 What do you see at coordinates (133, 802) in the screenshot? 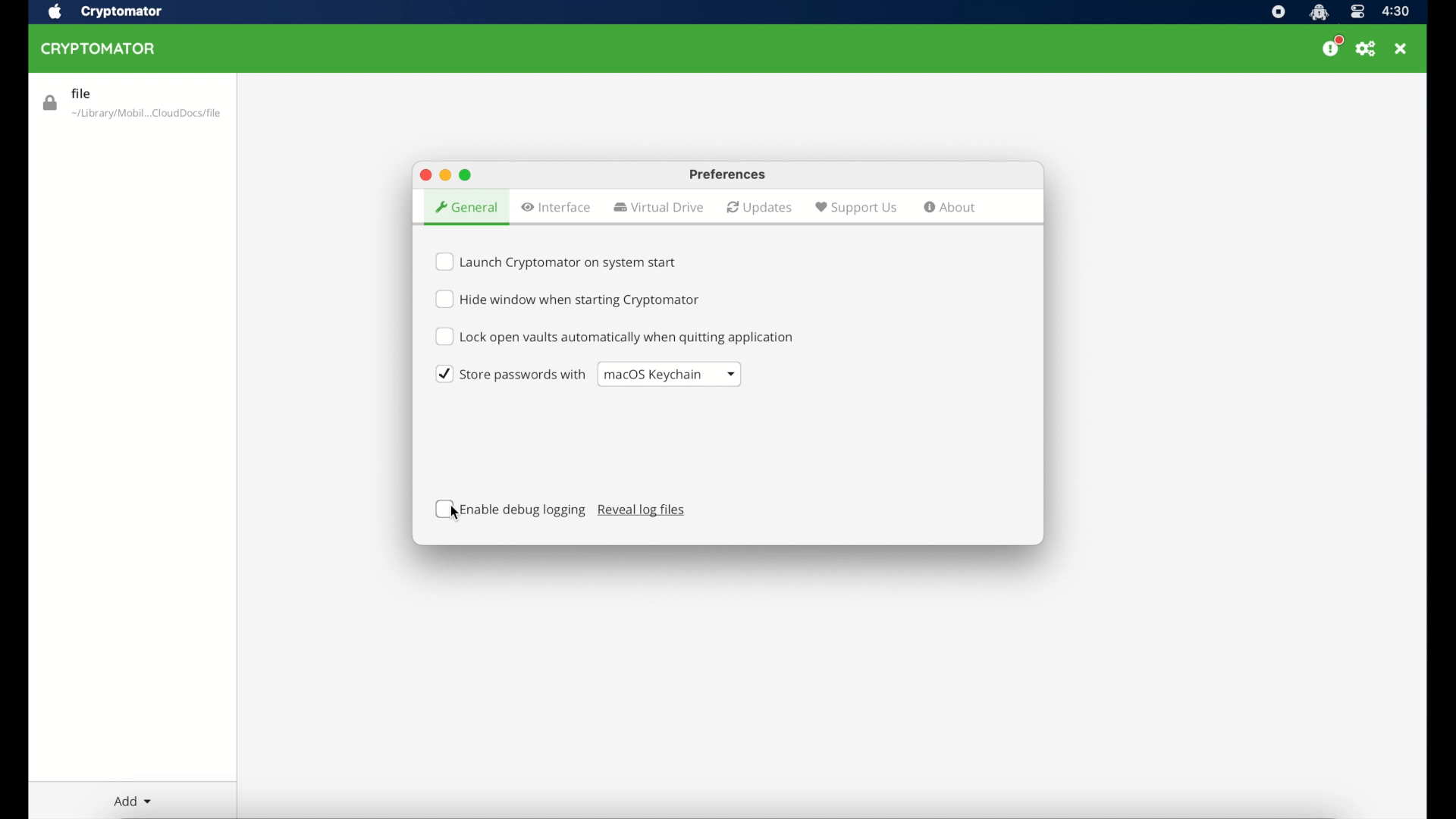
I see `add dropdown` at bounding box center [133, 802].